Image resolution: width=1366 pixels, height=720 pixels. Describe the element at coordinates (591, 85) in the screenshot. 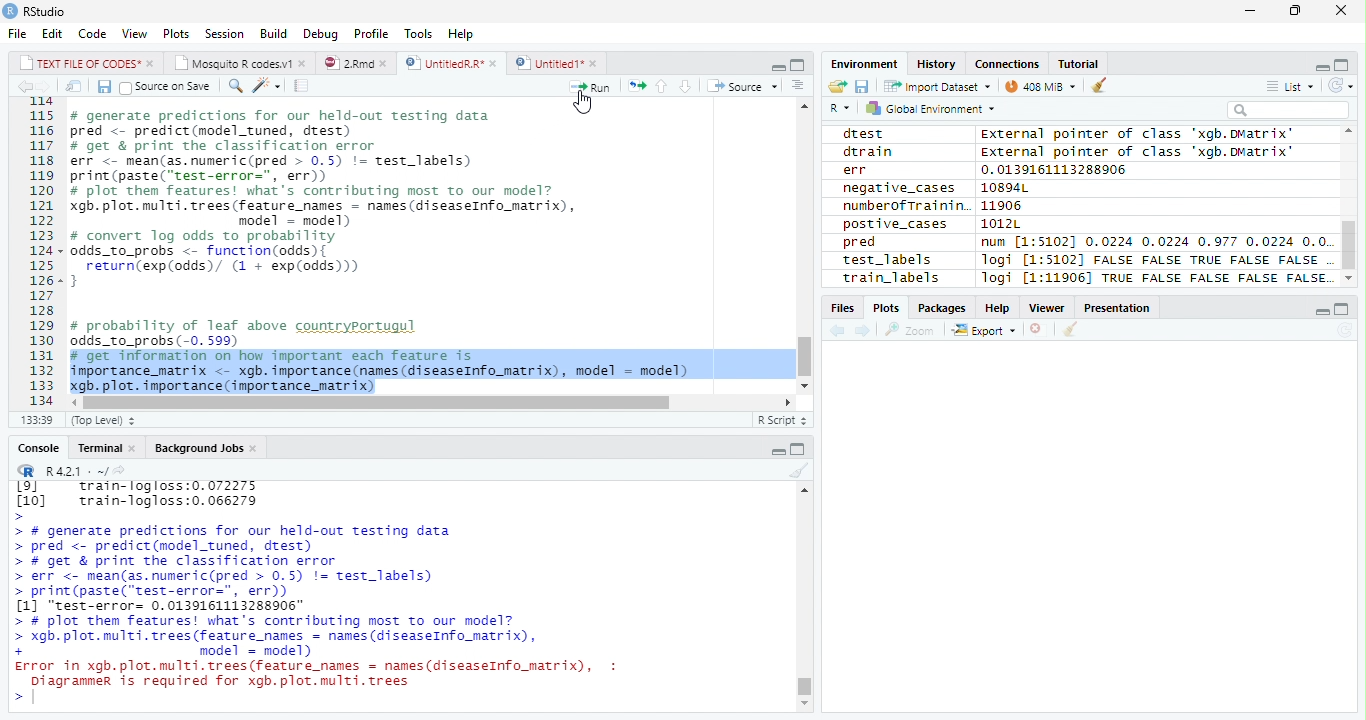

I see `Run` at that location.